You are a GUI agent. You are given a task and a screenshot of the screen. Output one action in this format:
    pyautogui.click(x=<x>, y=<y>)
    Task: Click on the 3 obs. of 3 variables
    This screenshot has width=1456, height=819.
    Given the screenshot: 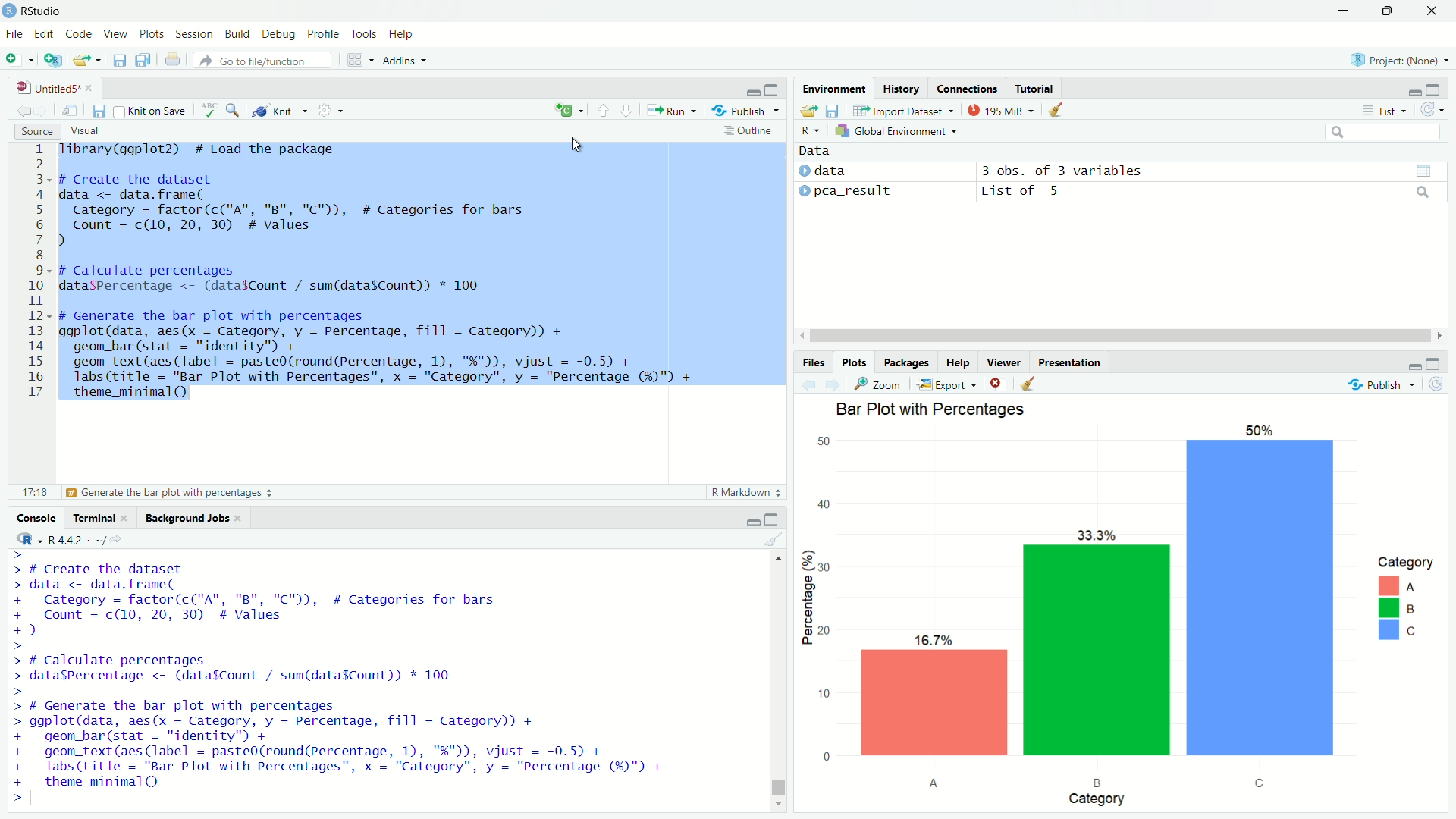 What is the action you would take?
    pyautogui.click(x=1211, y=171)
    